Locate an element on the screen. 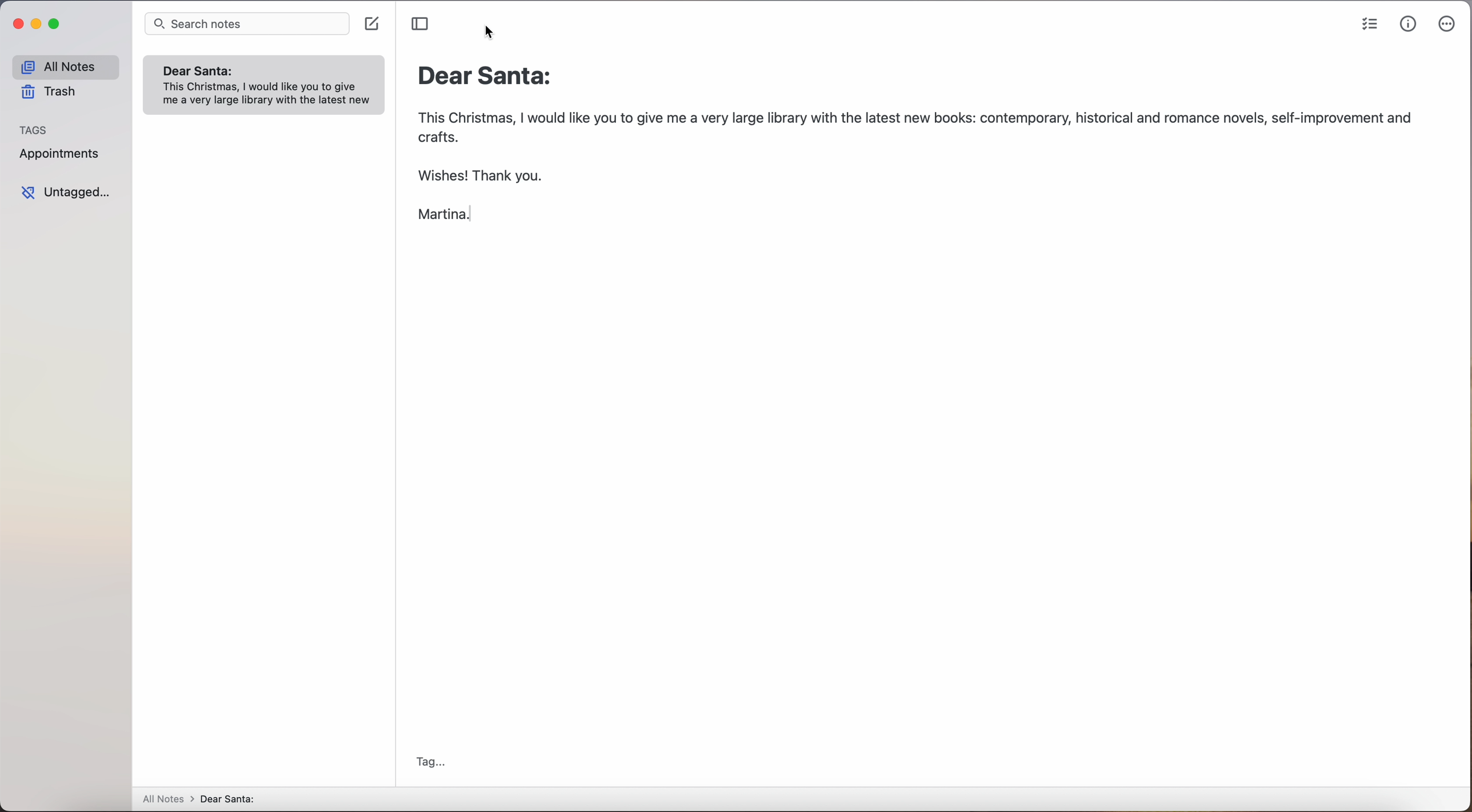 The height and width of the screenshot is (812, 1472). minimize app is located at coordinates (38, 26).